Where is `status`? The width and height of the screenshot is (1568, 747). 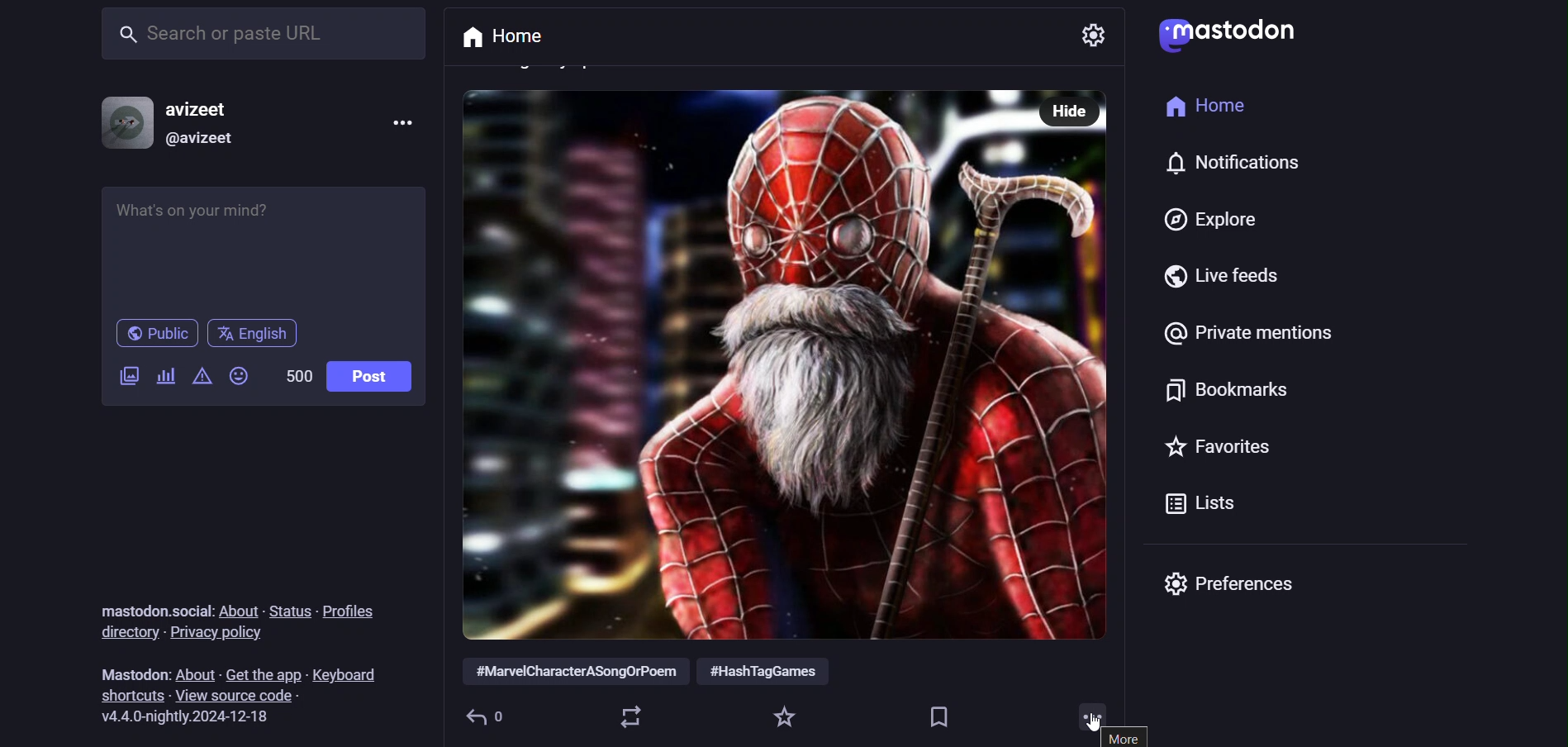 status is located at coordinates (289, 607).